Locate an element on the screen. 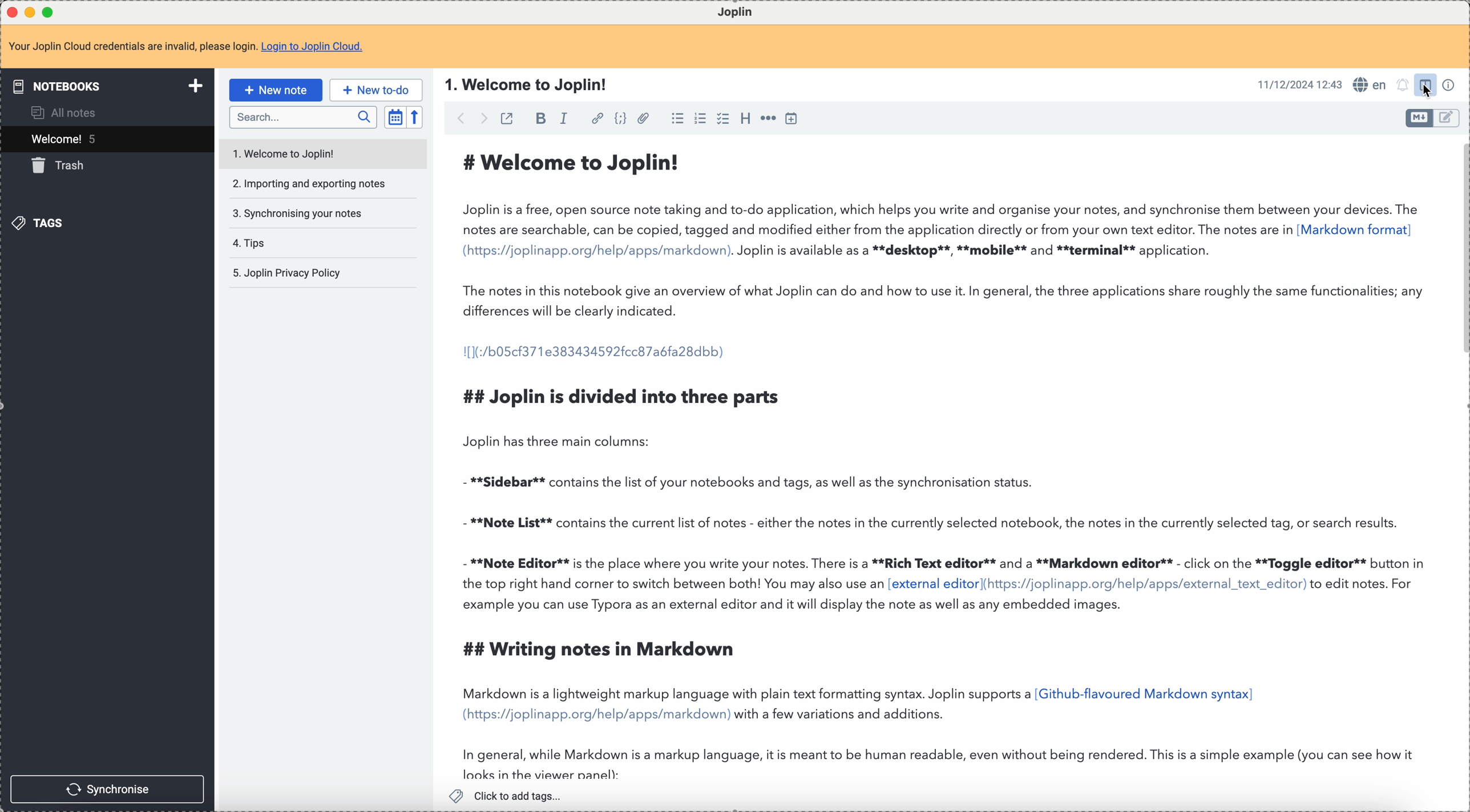  horizontal rule is located at coordinates (767, 119).